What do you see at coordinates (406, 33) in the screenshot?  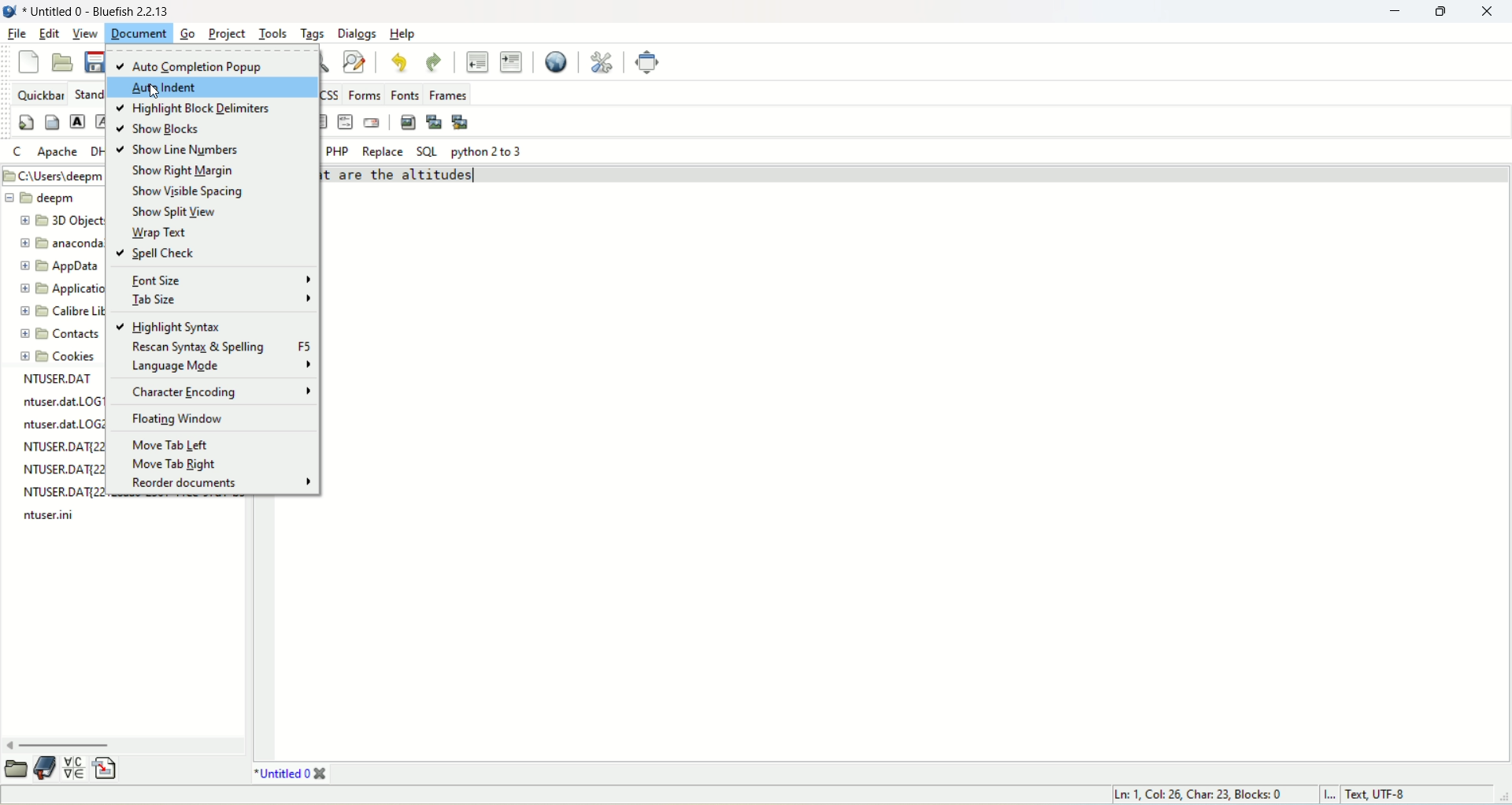 I see `help` at bounding box center [406, 33].